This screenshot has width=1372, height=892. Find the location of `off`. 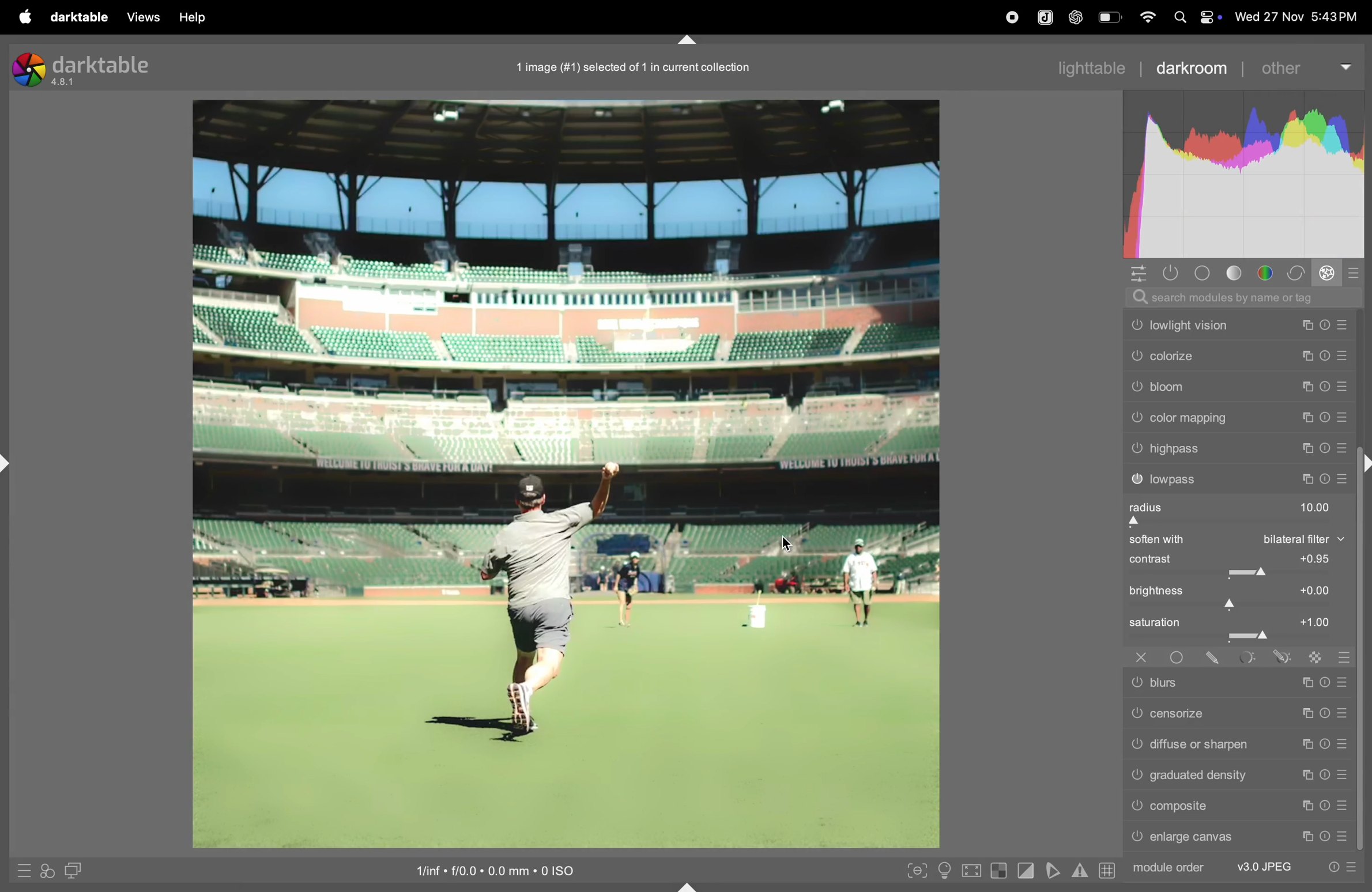

off is located at coordinates (1139, 657).